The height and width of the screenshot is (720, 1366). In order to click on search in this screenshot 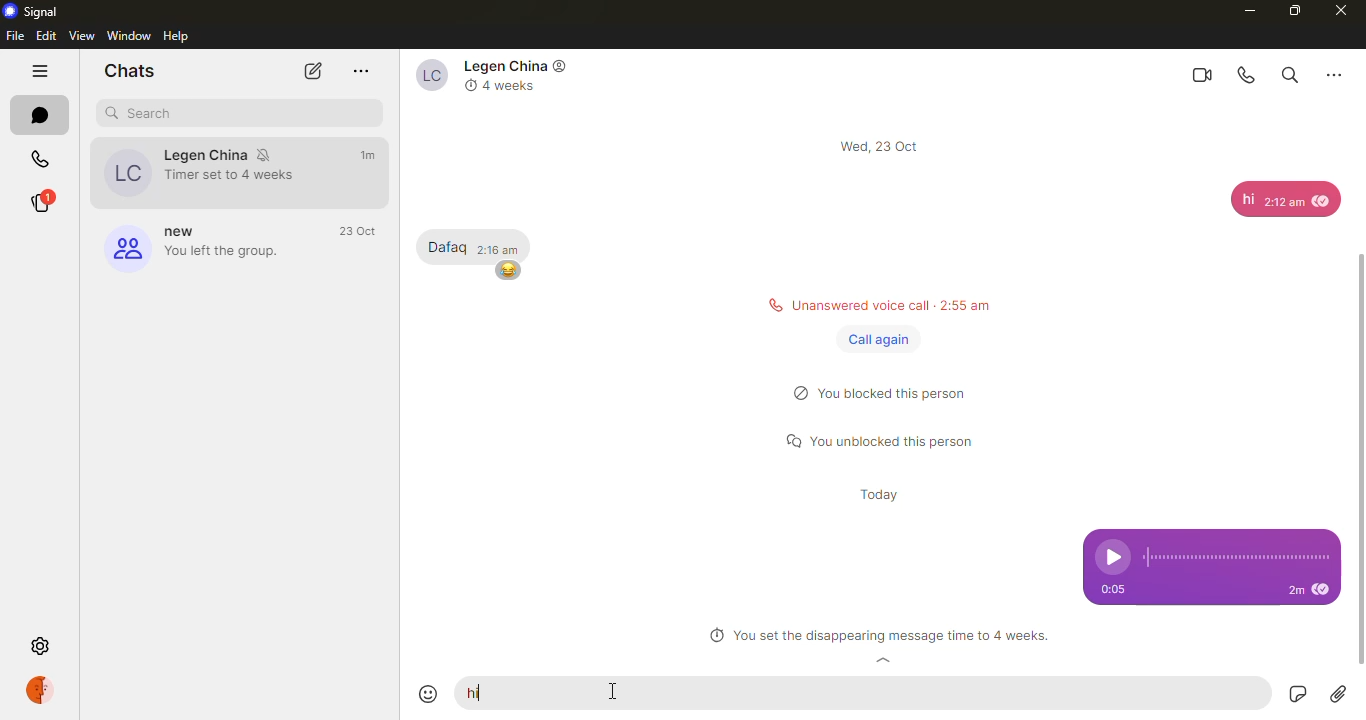, I will do `click(145, 113)`.